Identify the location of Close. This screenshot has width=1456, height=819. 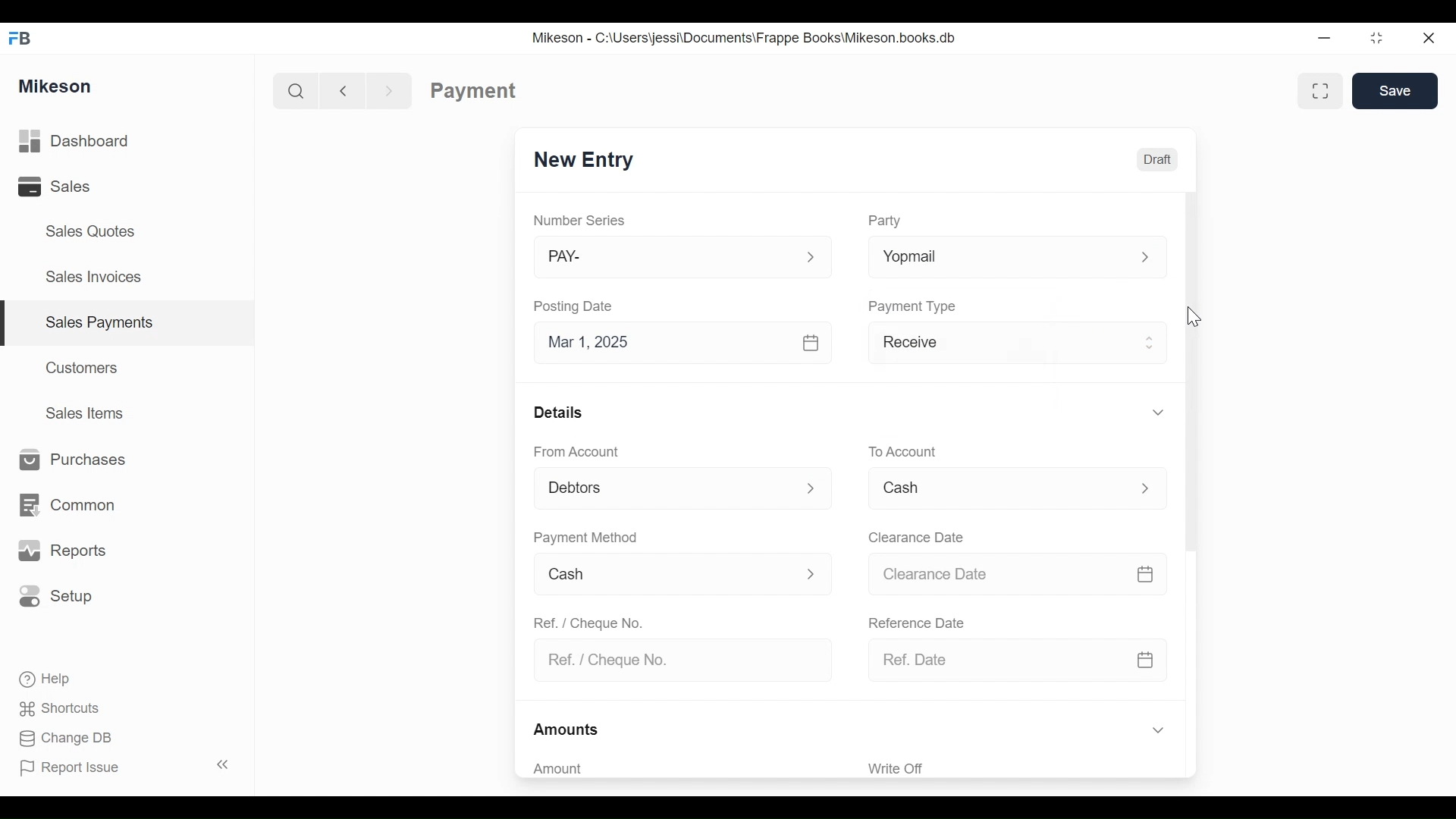
(1426, 36).